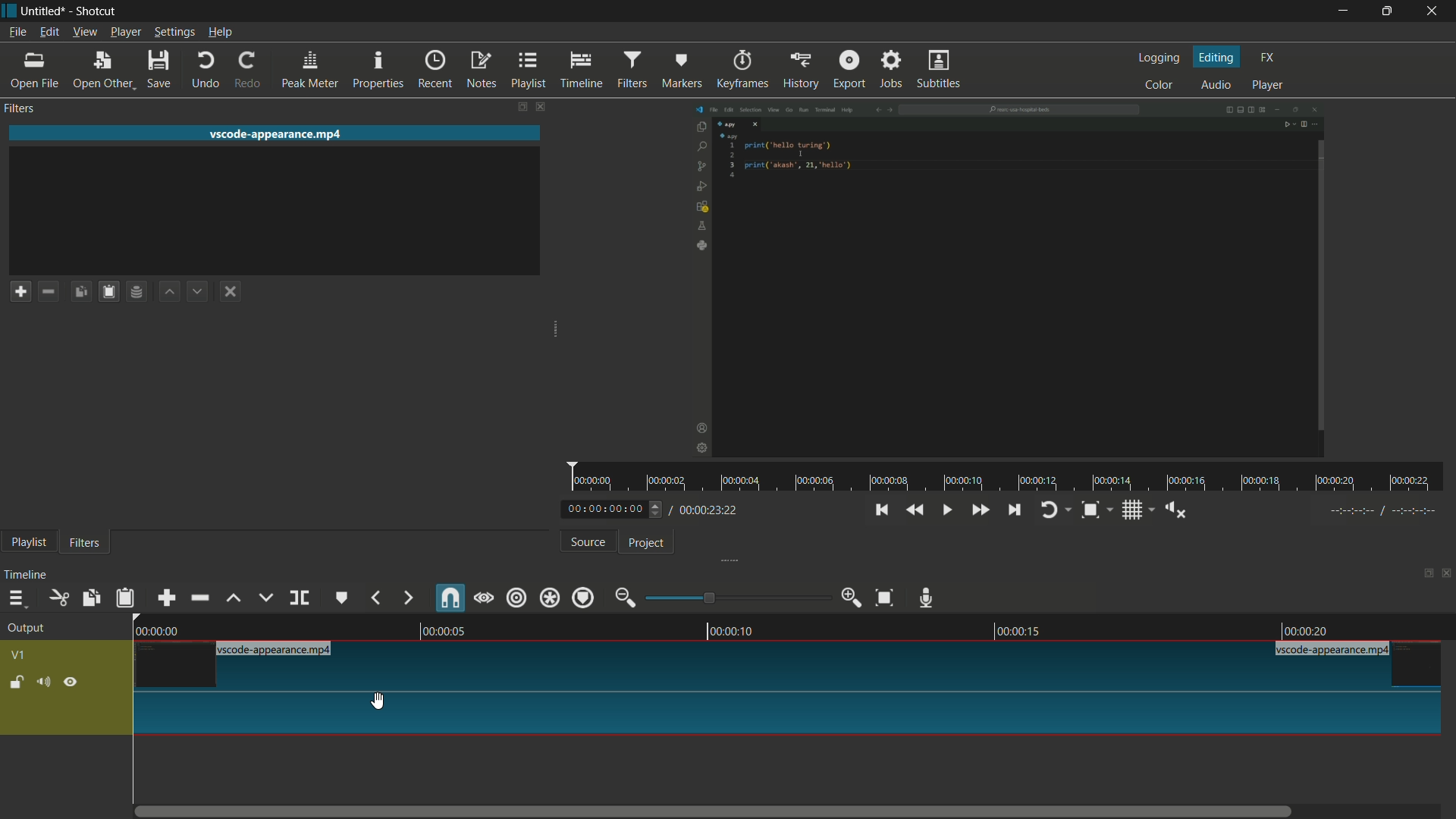  What do you see at coordinates (1172, 511) in the screenshot?
I see `show volume control` at bounding box center [1172, 511].